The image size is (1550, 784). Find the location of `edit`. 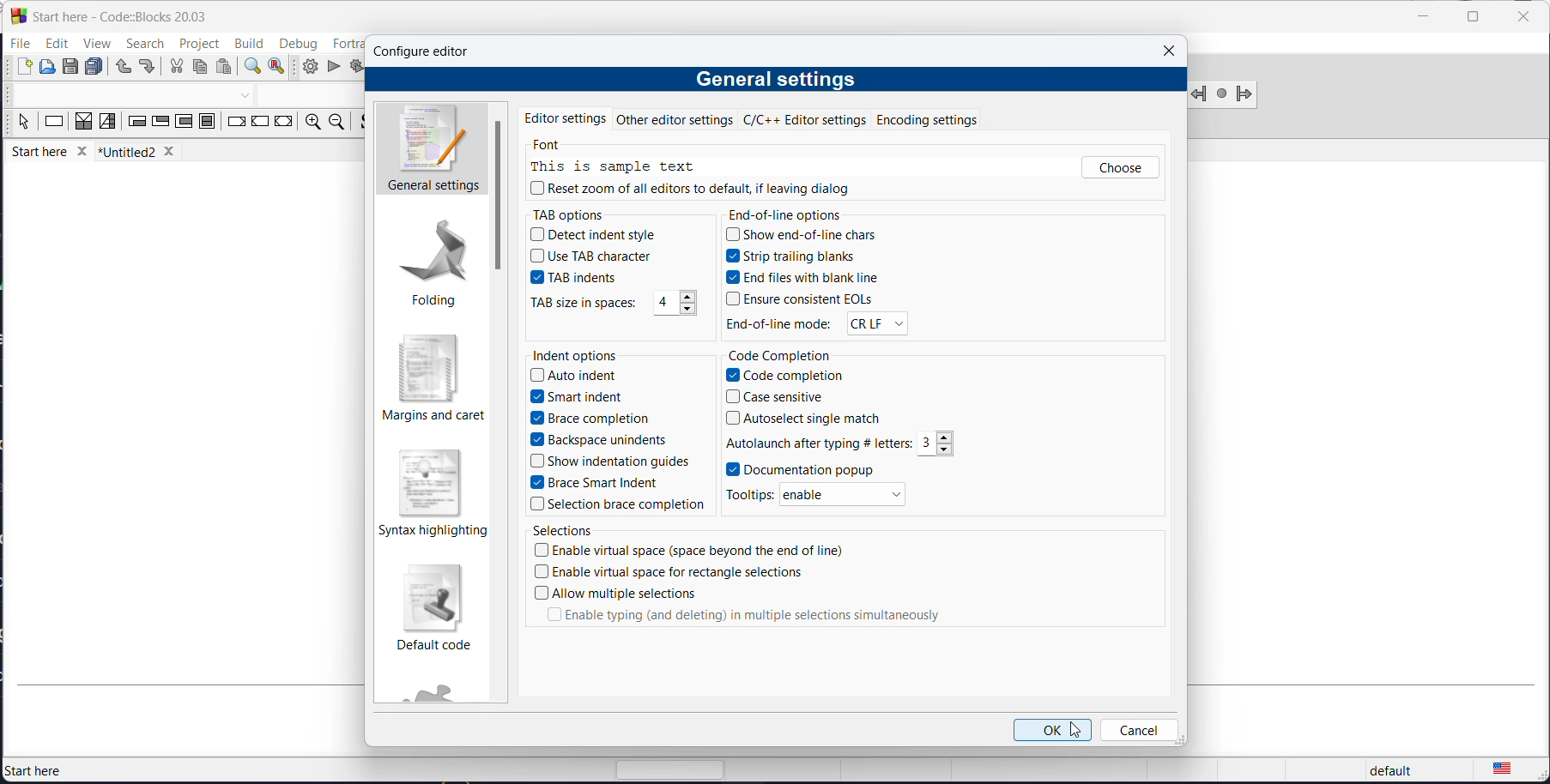

edit is located at coordinates (57, 43).